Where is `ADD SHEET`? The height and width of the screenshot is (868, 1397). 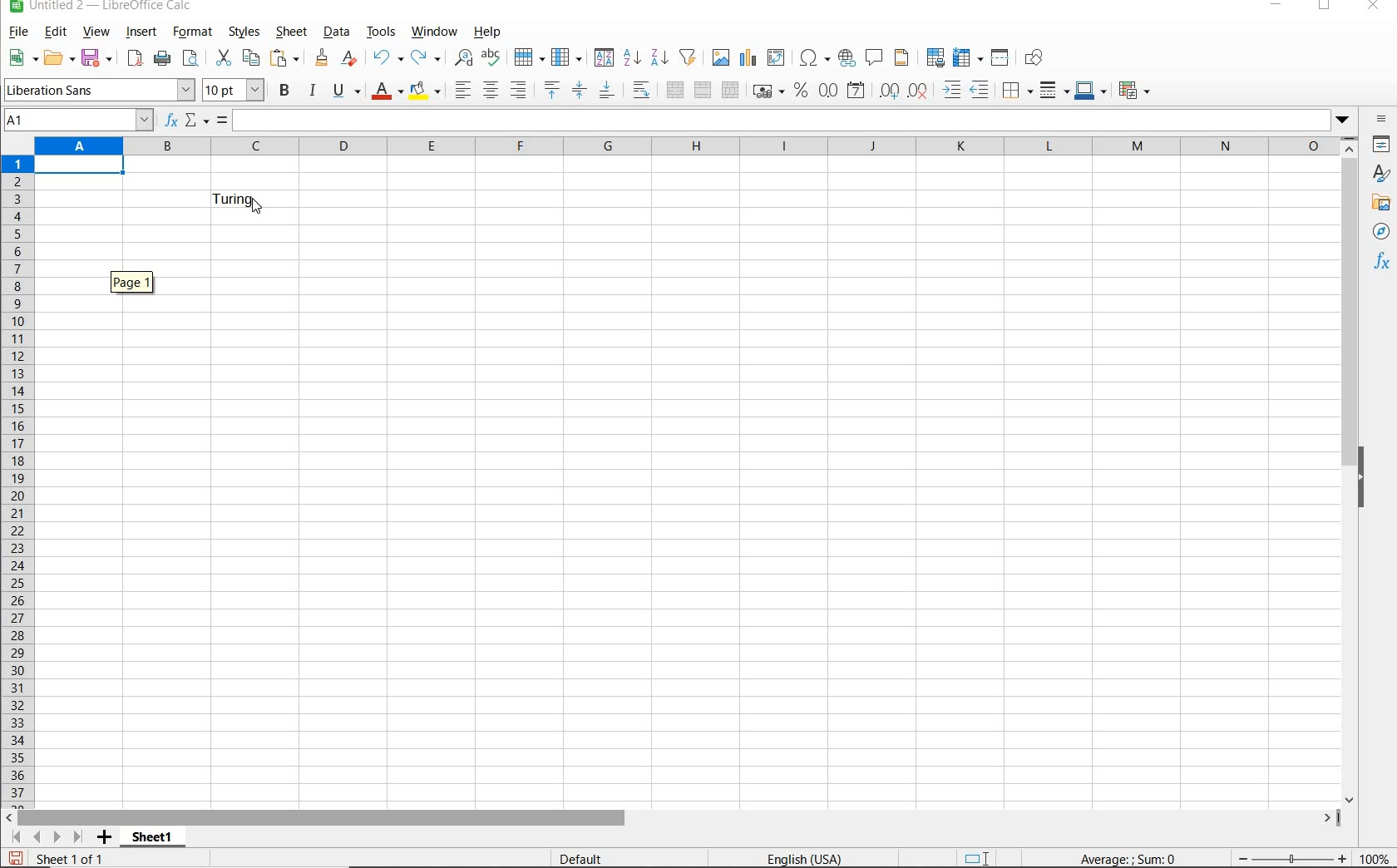
ADD SHEET is located at coordinates (106, 837).